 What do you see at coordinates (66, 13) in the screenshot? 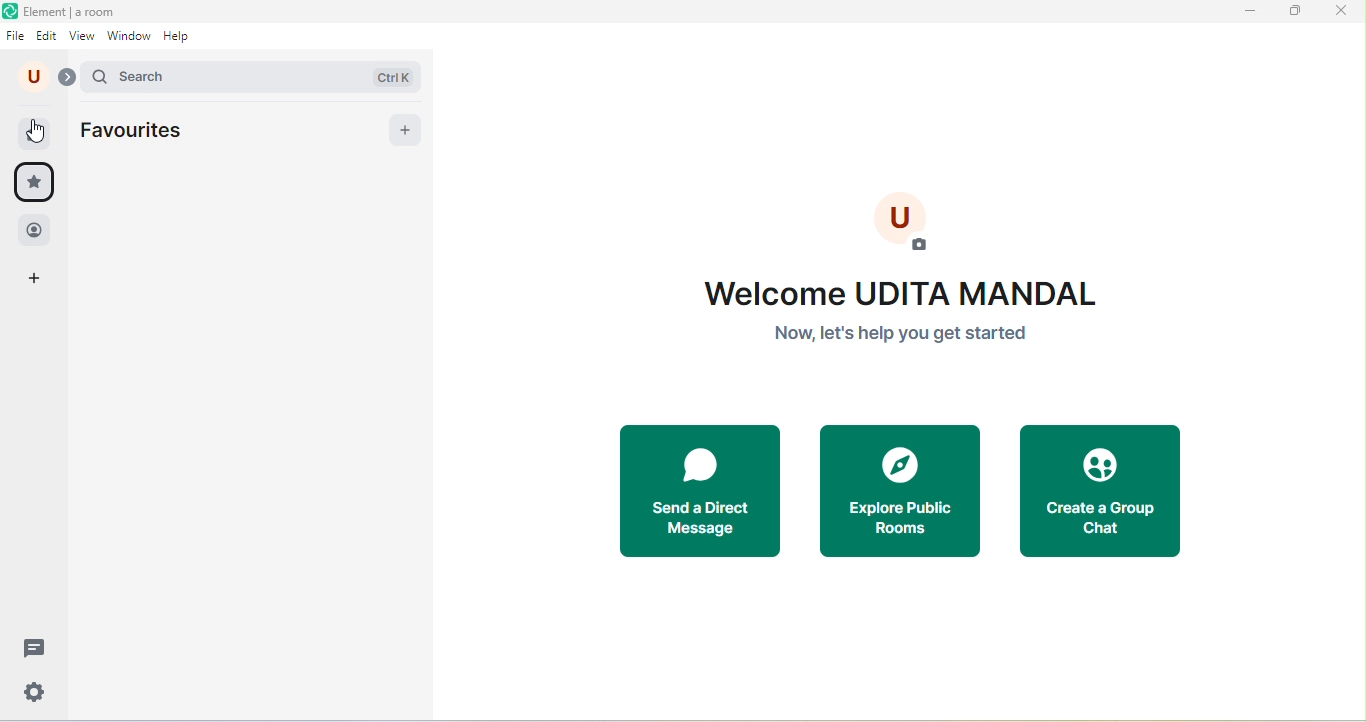
I see `title` at bounding box center [66, 13].